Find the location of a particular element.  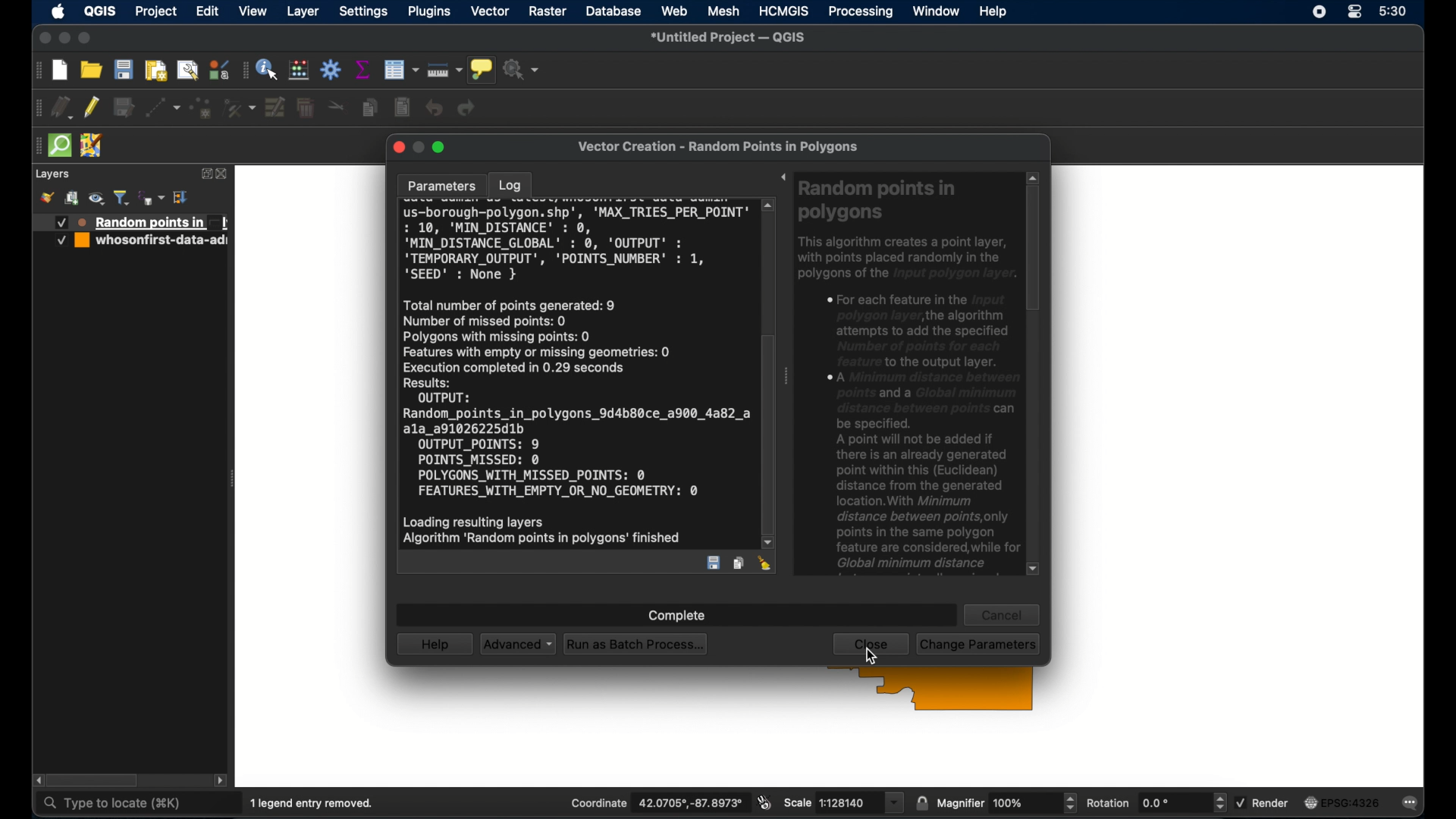

vector is located at coordinates (491, 11).